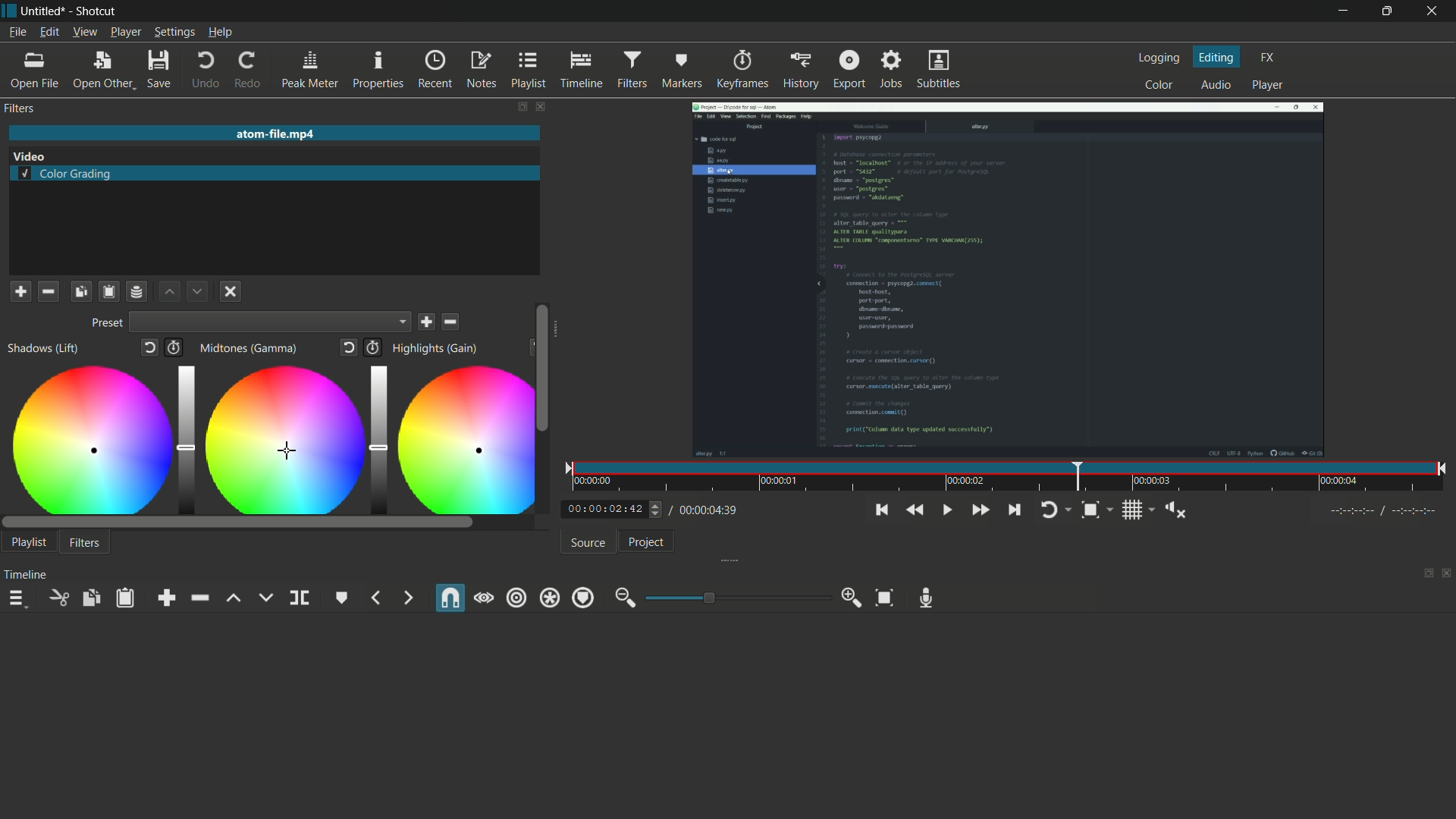 This screenshot has width=1456, height=819. Describe the element at coordinates (516, 597) in the screenshot. I see `ripple` at that location.